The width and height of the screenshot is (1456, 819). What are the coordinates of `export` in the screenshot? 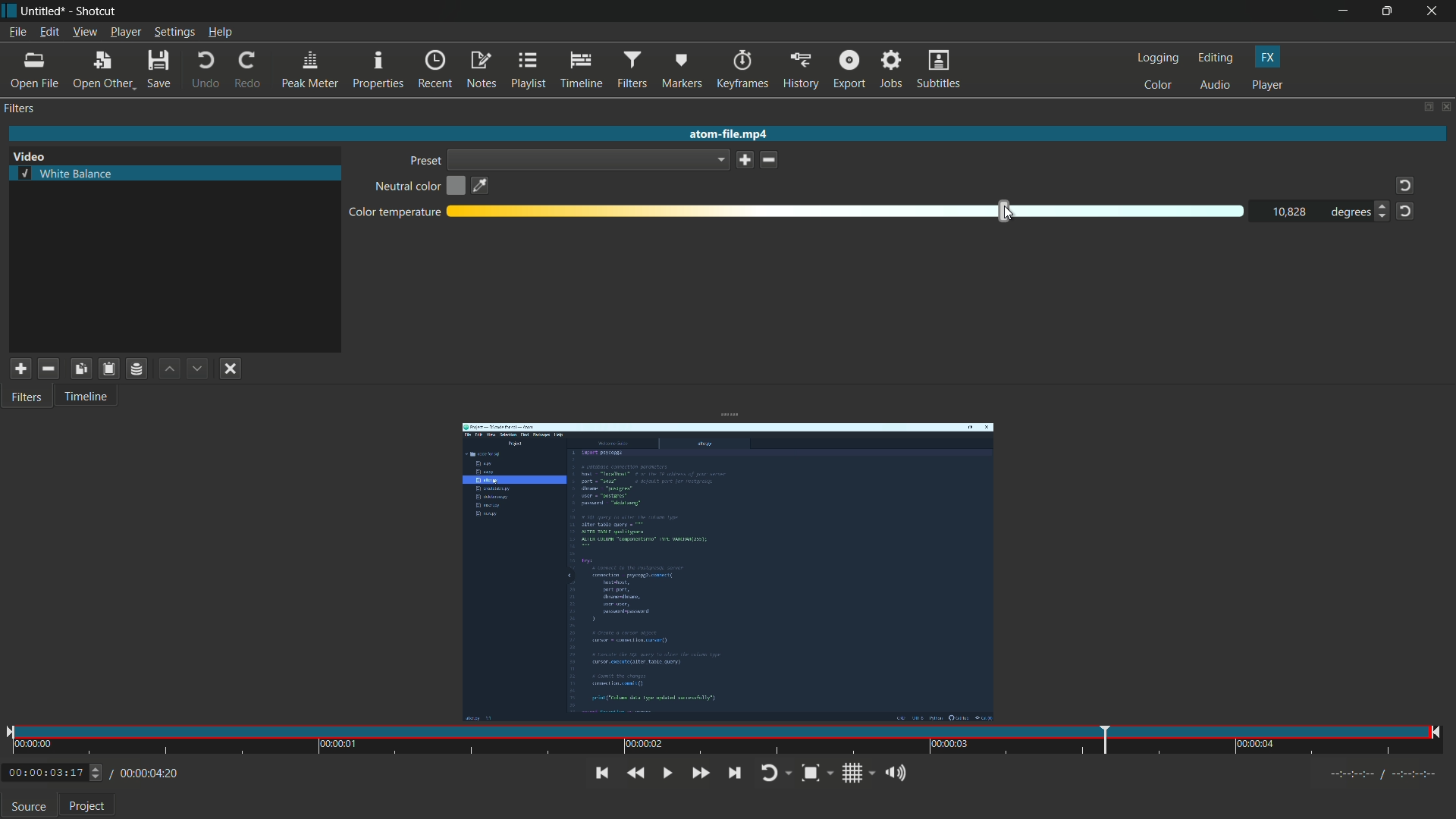 It's located at (849, 68).